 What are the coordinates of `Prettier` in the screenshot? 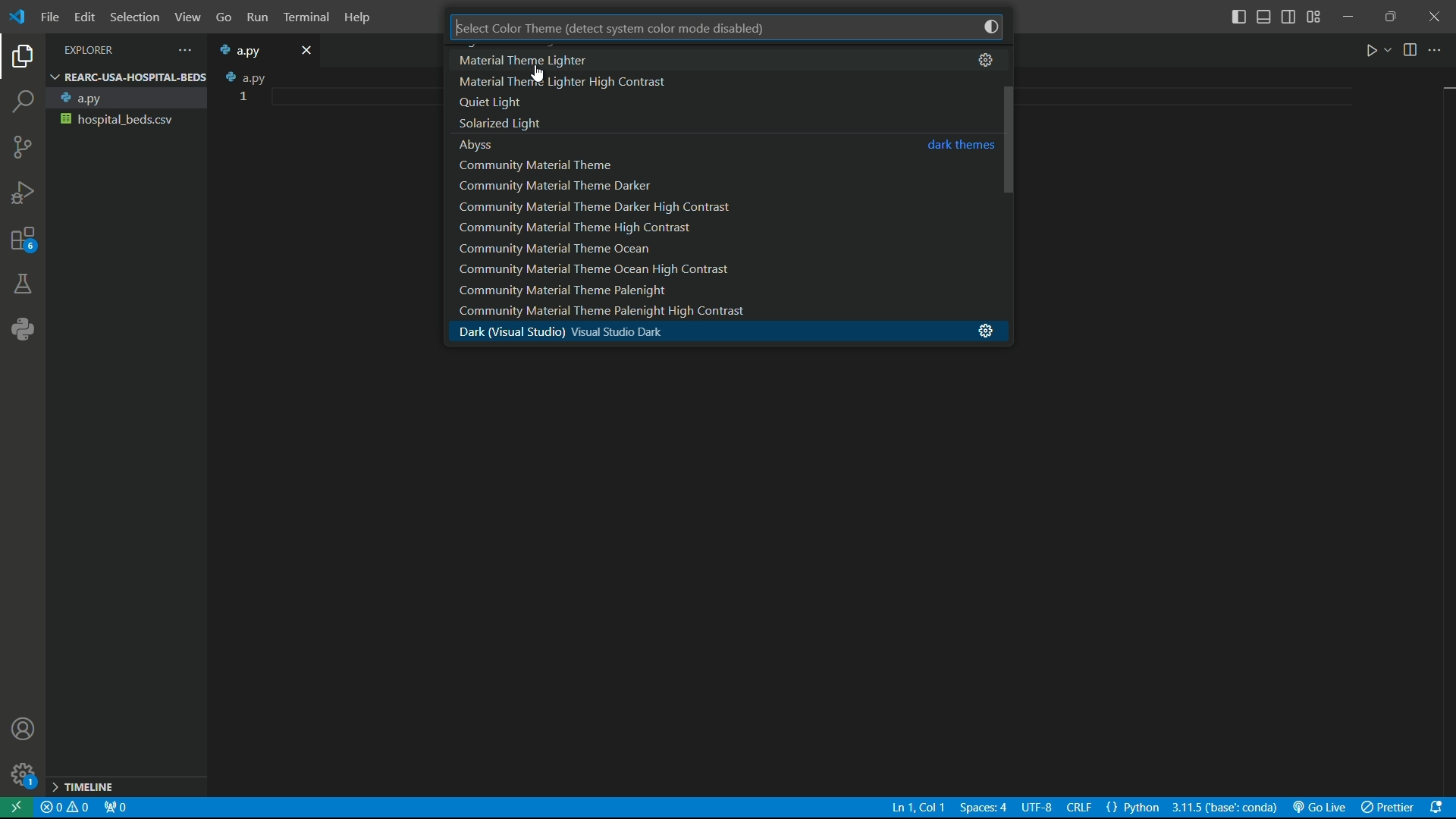 It's located at (1387, 808).